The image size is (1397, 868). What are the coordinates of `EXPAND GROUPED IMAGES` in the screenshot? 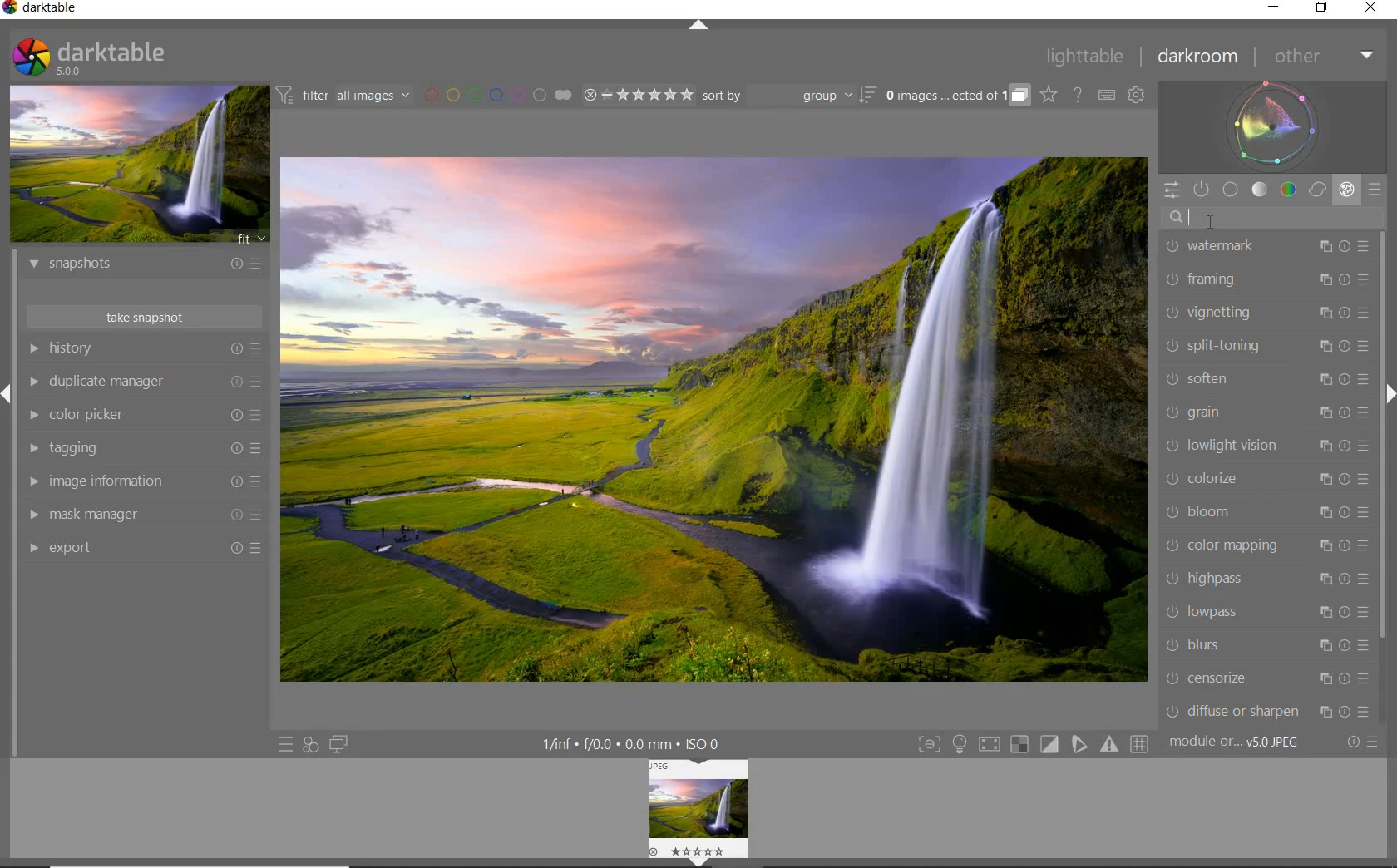 It's located at (958, 96).